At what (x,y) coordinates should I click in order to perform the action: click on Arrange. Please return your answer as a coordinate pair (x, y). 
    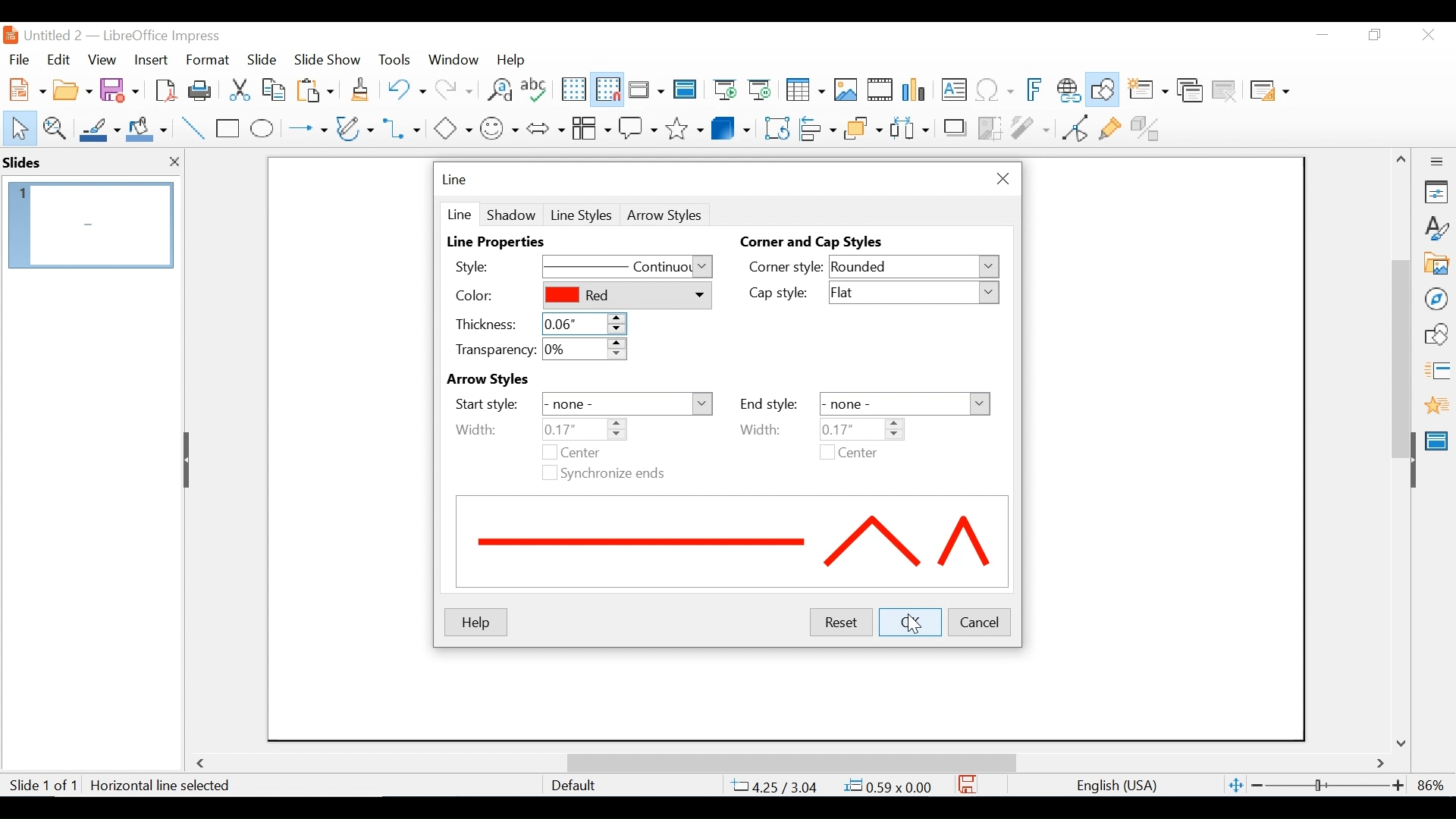
    Looking at the image, I should click on (861, 127).